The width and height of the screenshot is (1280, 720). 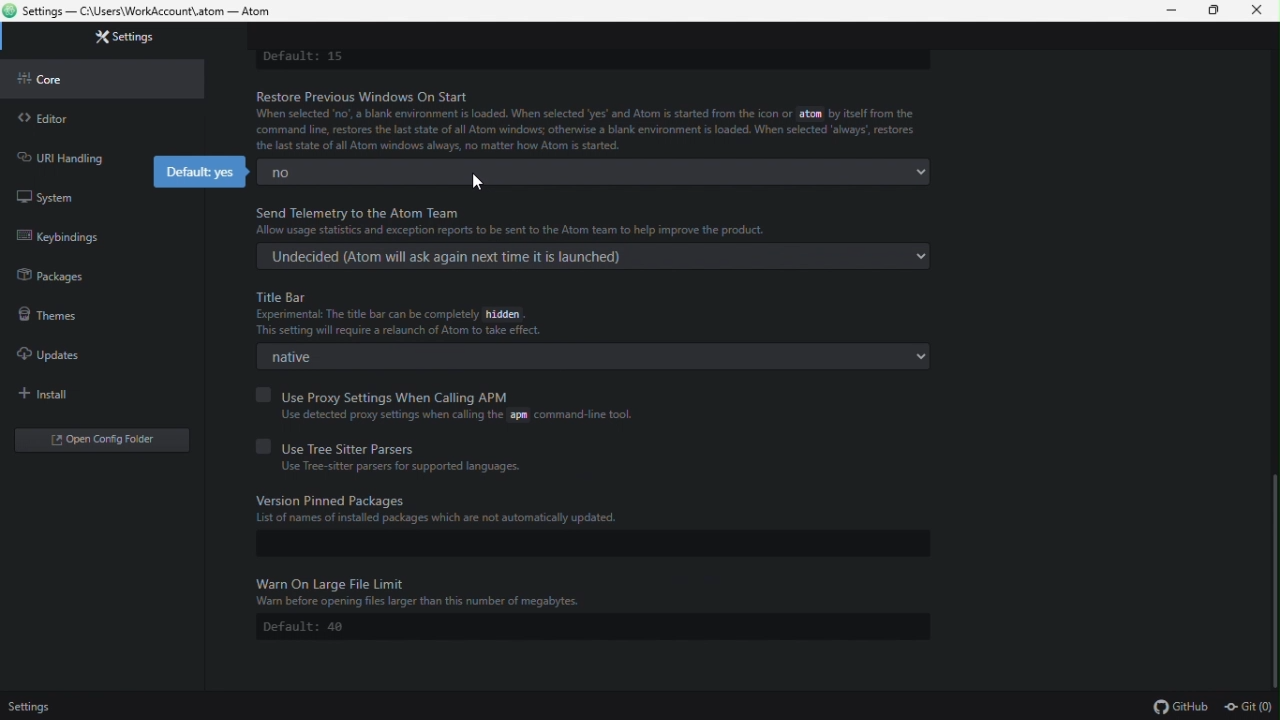 I want to click on Updates, so click(x=65, y=355).